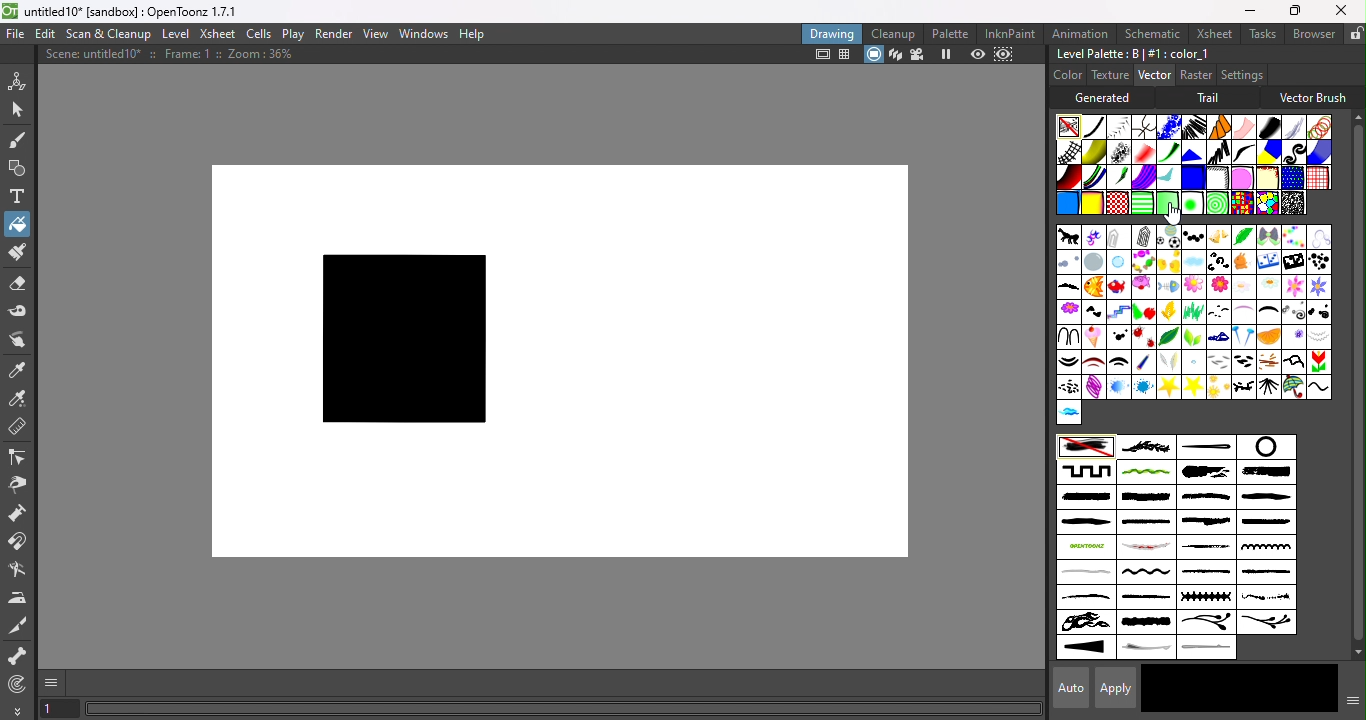  Describe the element at coordinates (258, 35) in the screenshot. I see `Cells` at that location.